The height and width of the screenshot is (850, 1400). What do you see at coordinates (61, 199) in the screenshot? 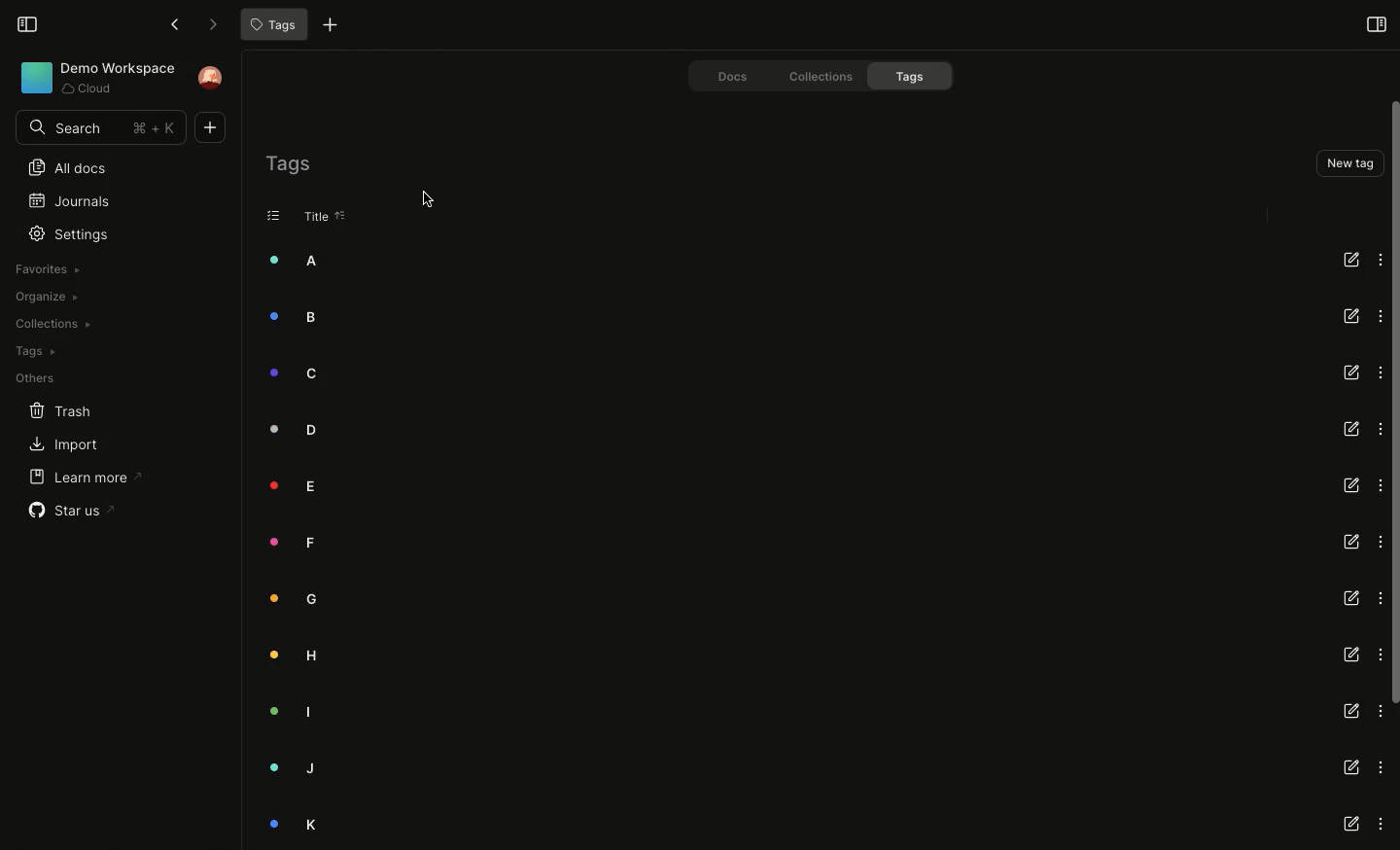
I see `Journals` at bounding box center [61, 199].